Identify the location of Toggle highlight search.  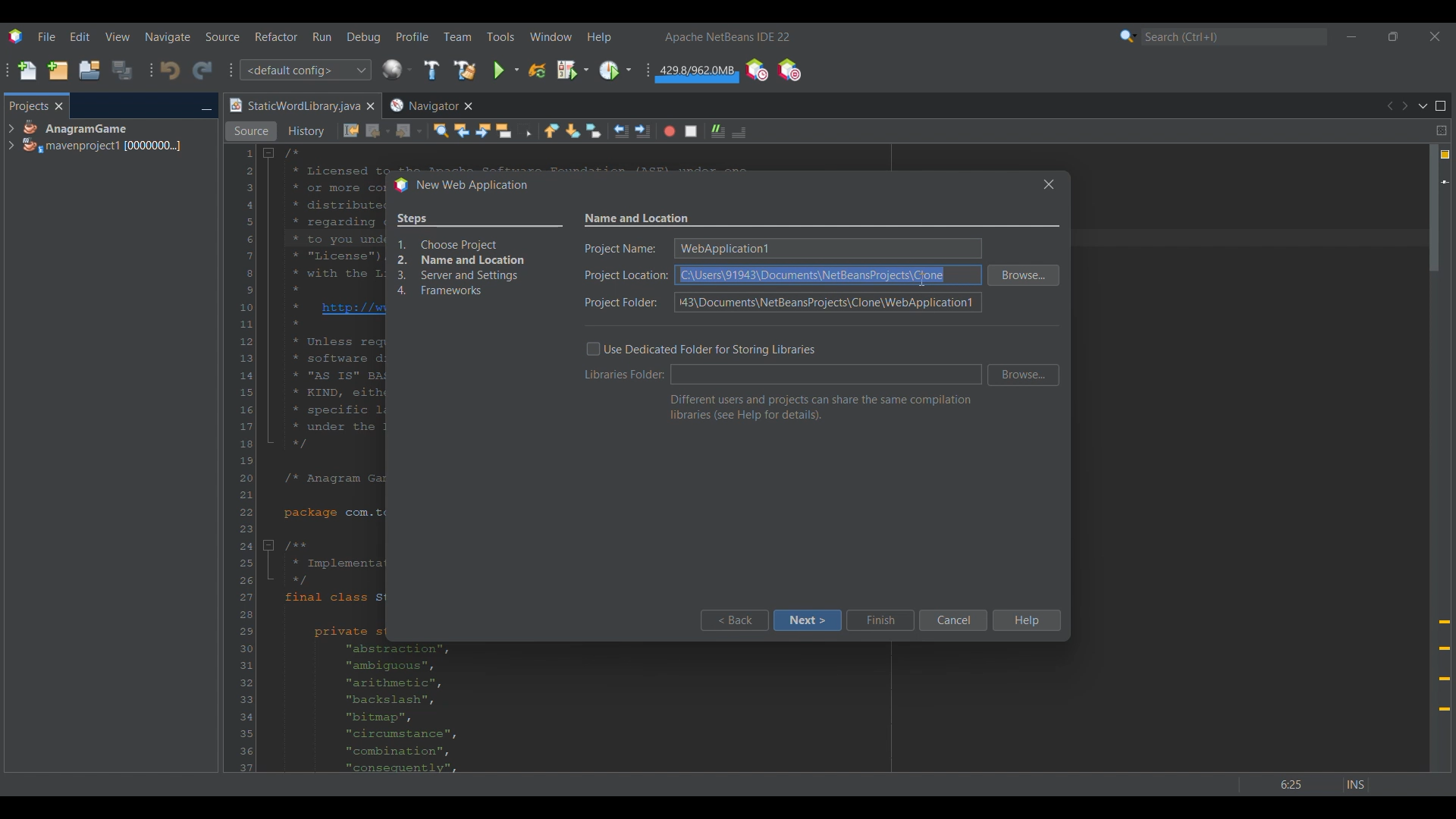
(504, 130).